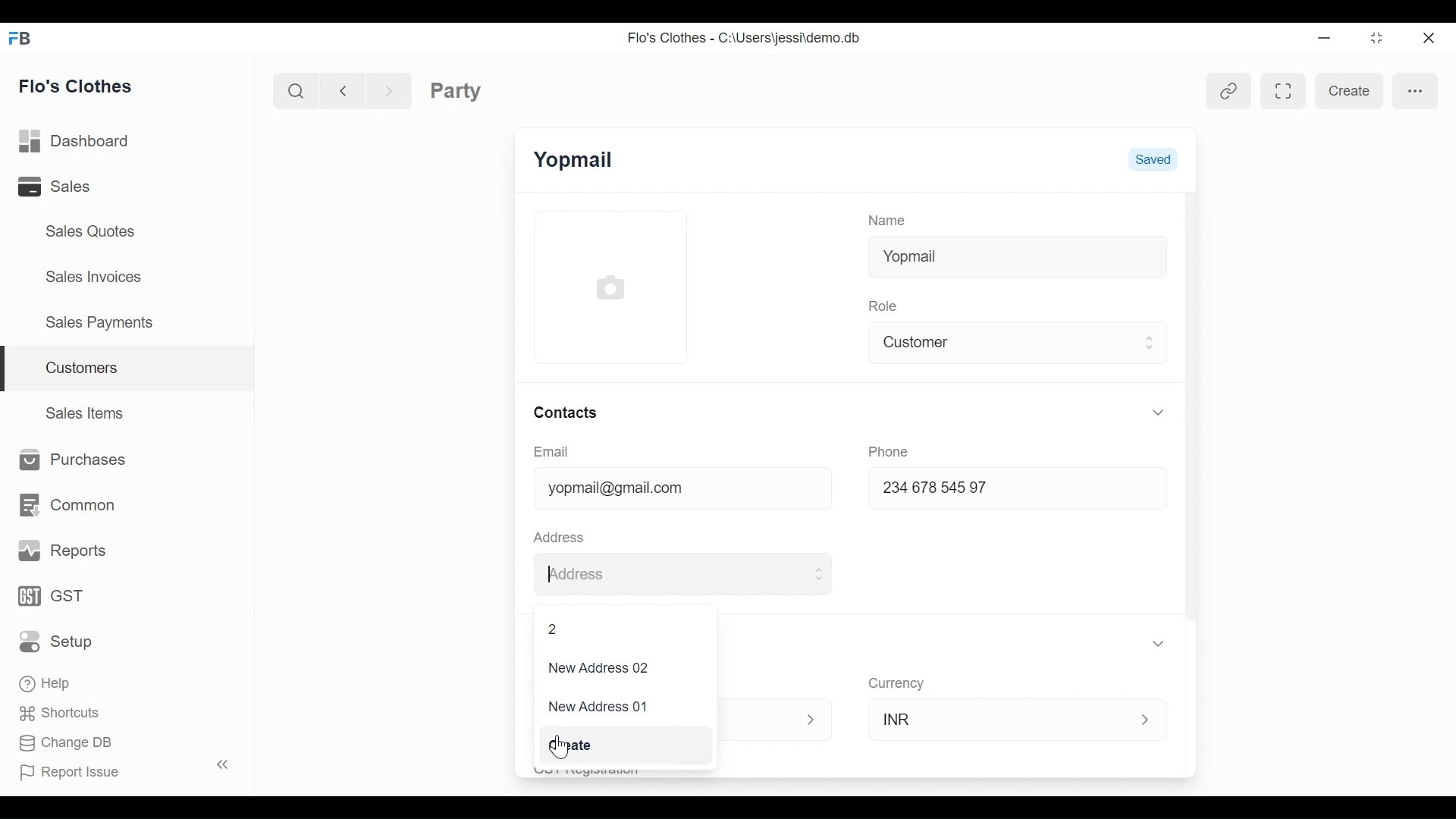 The height and width of the screenshot is (819, 1456). What do you see at coordinates (92, 231) in the screenshot?
I see `Sales Quotes` at bounding box center [92, 231].